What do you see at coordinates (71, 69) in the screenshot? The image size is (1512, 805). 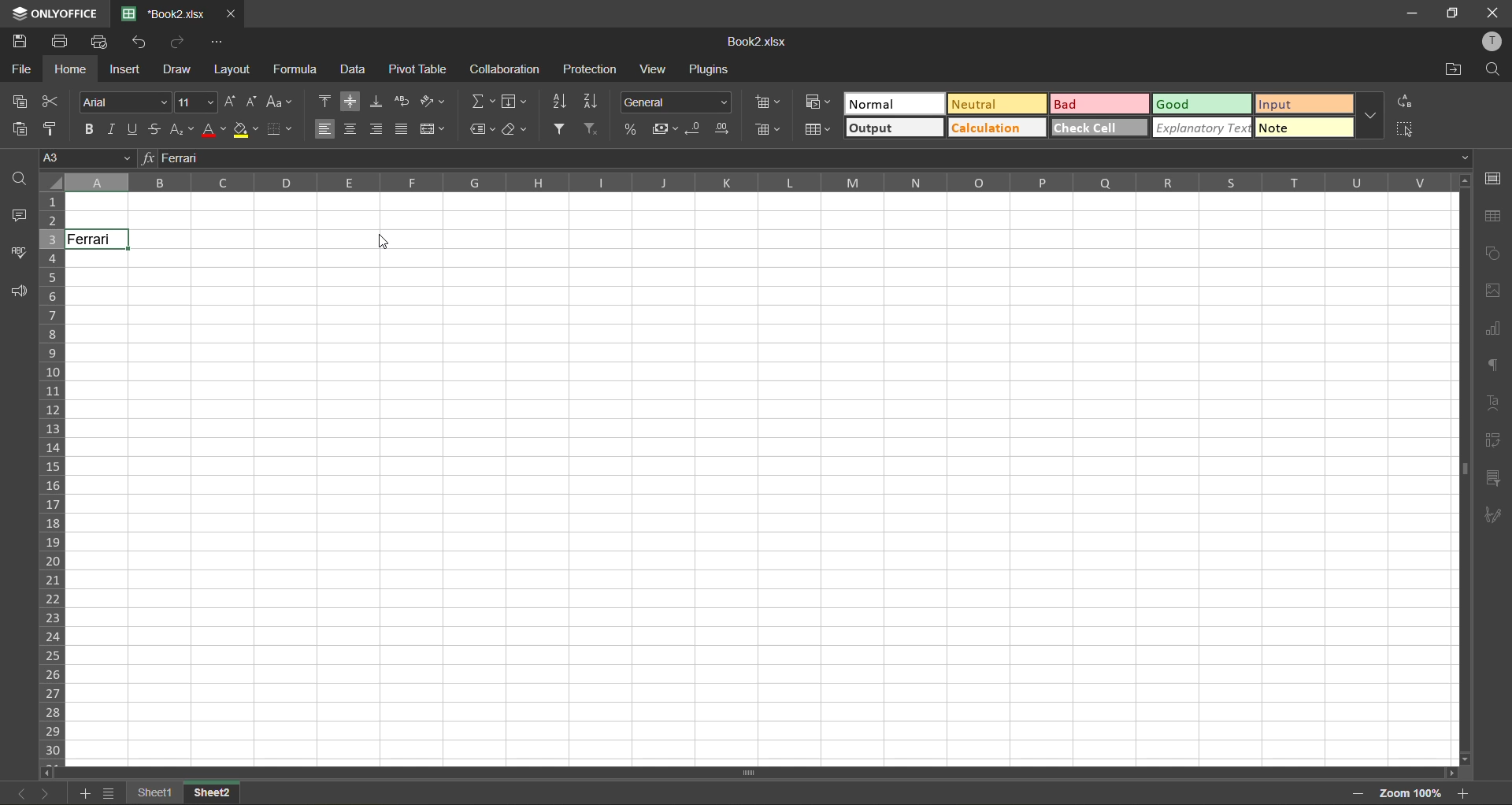 I see `home` at bounding box center [71, 69].